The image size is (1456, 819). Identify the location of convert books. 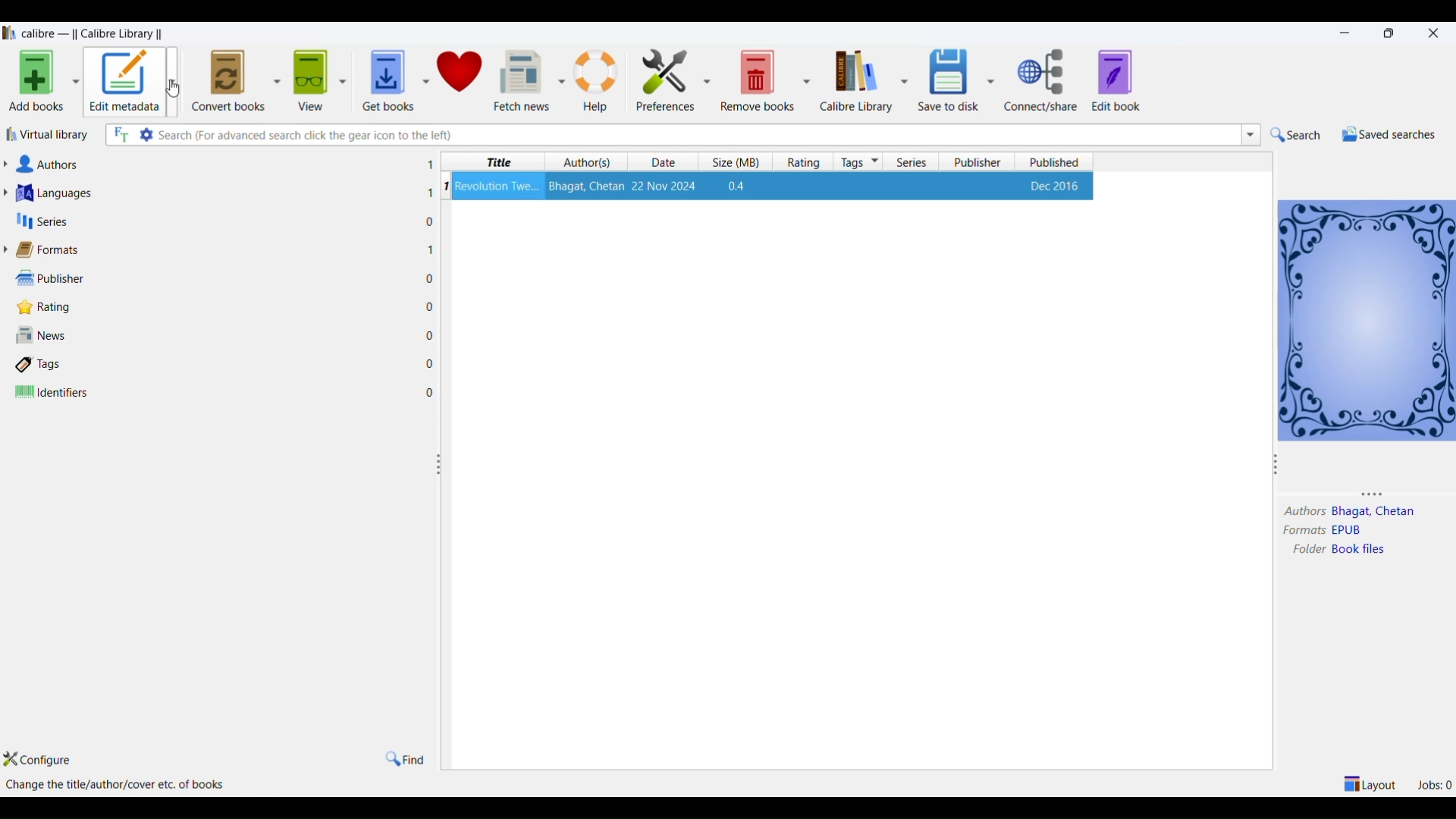
(228, 78).